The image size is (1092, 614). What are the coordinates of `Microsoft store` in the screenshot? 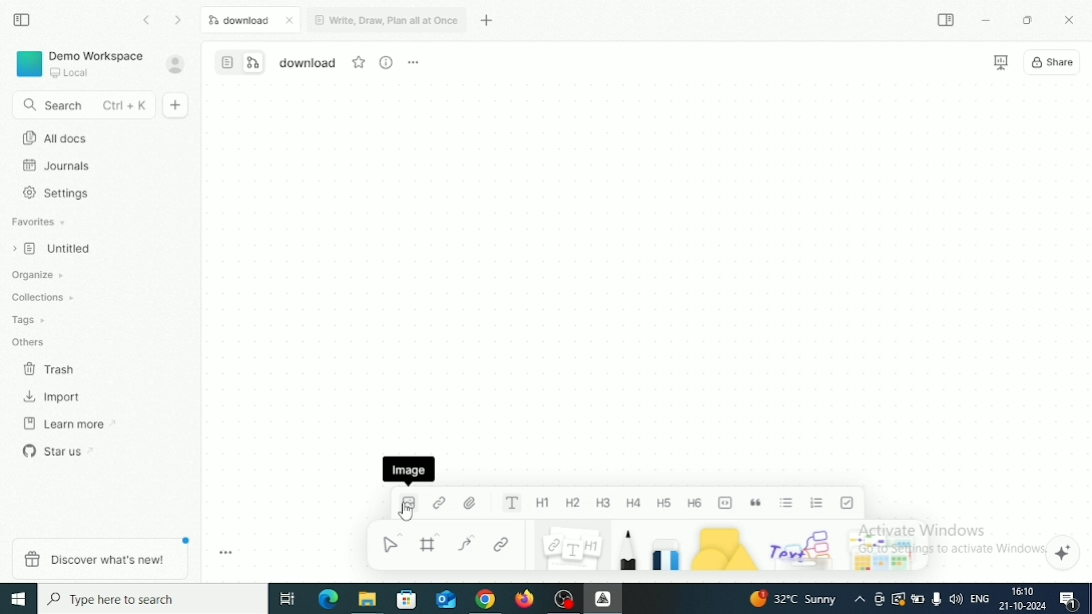 It's located at (407, 599).